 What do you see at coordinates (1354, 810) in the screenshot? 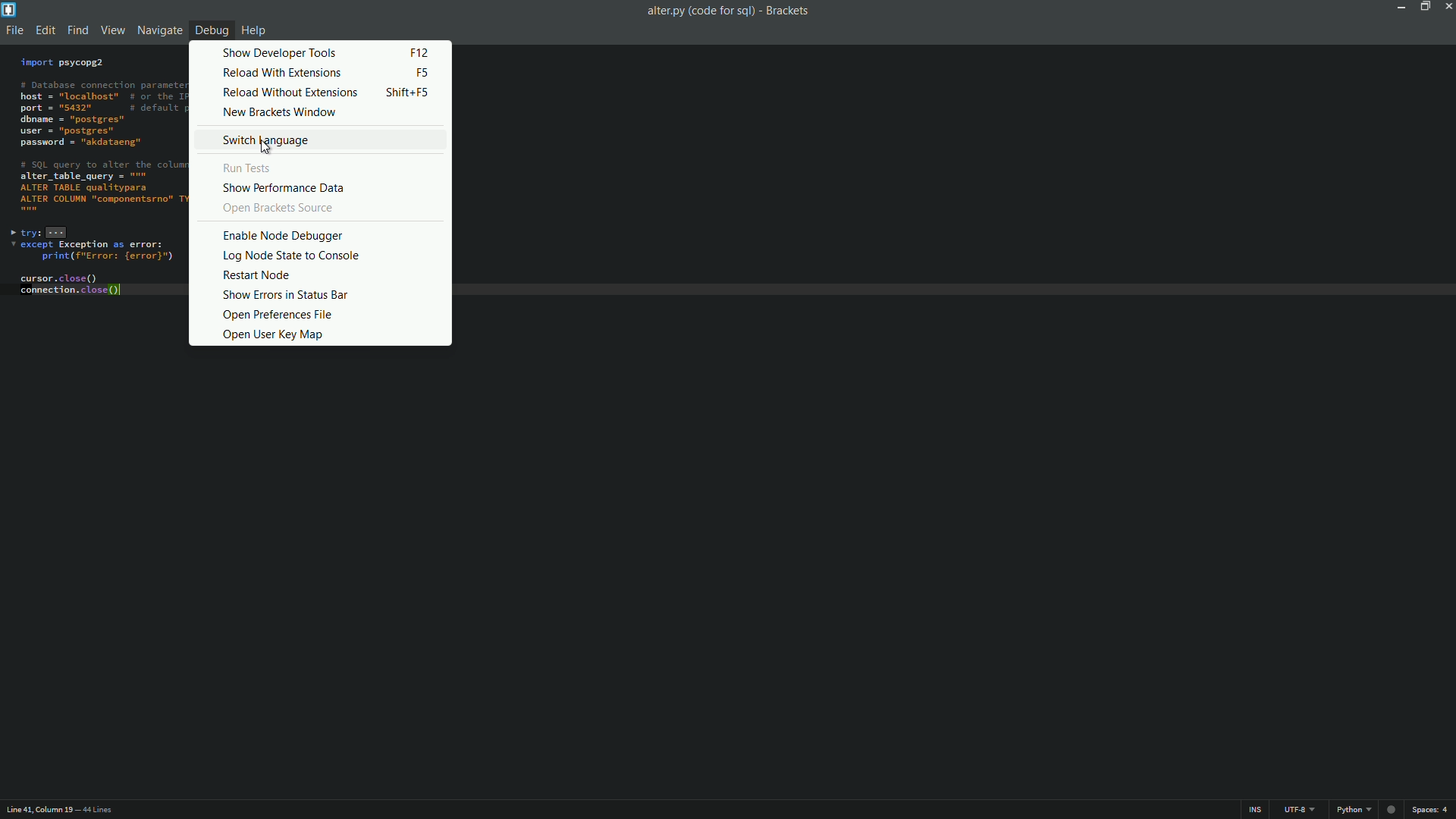
I see `python` at bounding box center [1354, 810].